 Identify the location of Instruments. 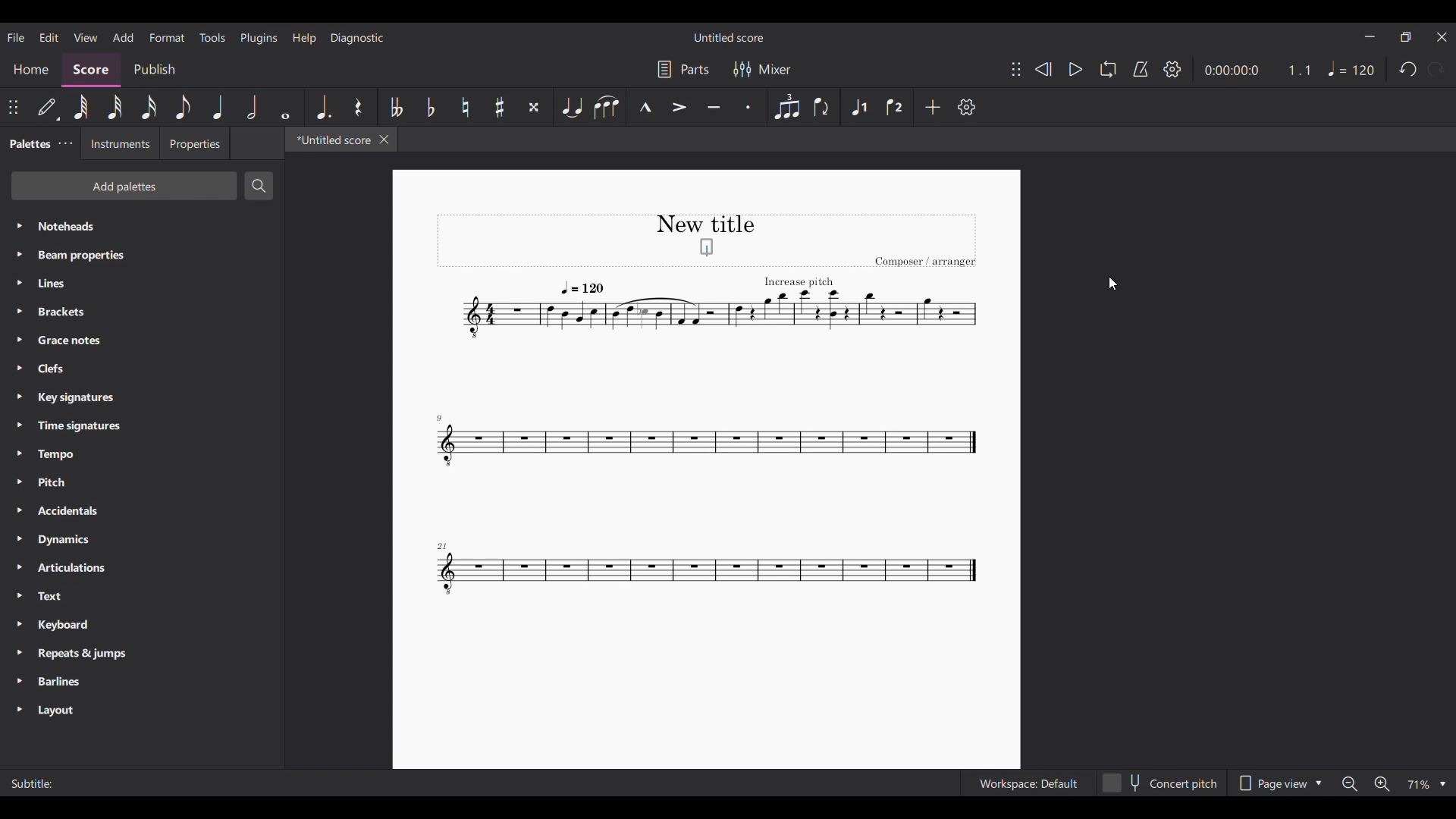
(118, 143).